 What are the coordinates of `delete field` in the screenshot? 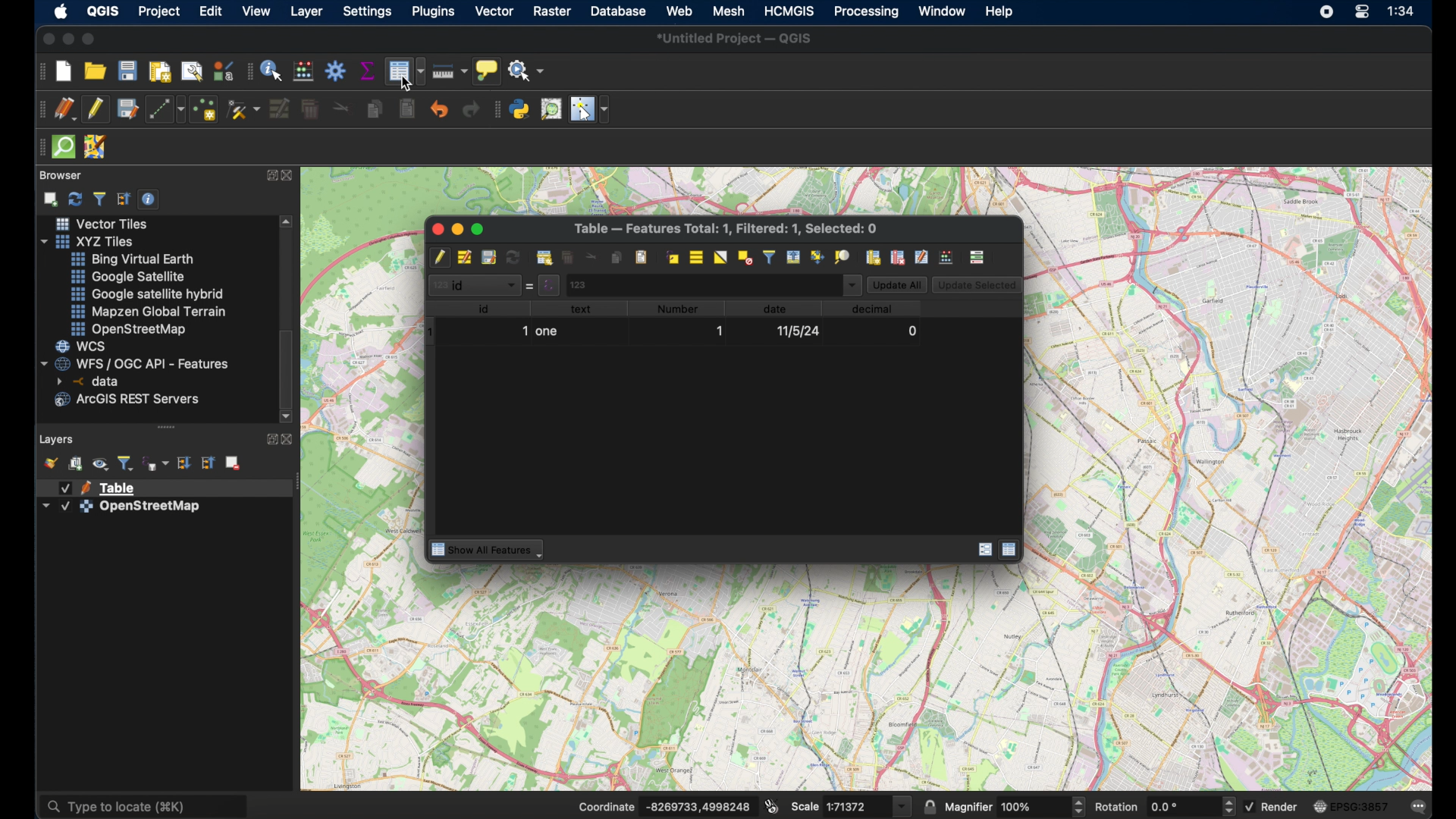 It's located at (899, 256).